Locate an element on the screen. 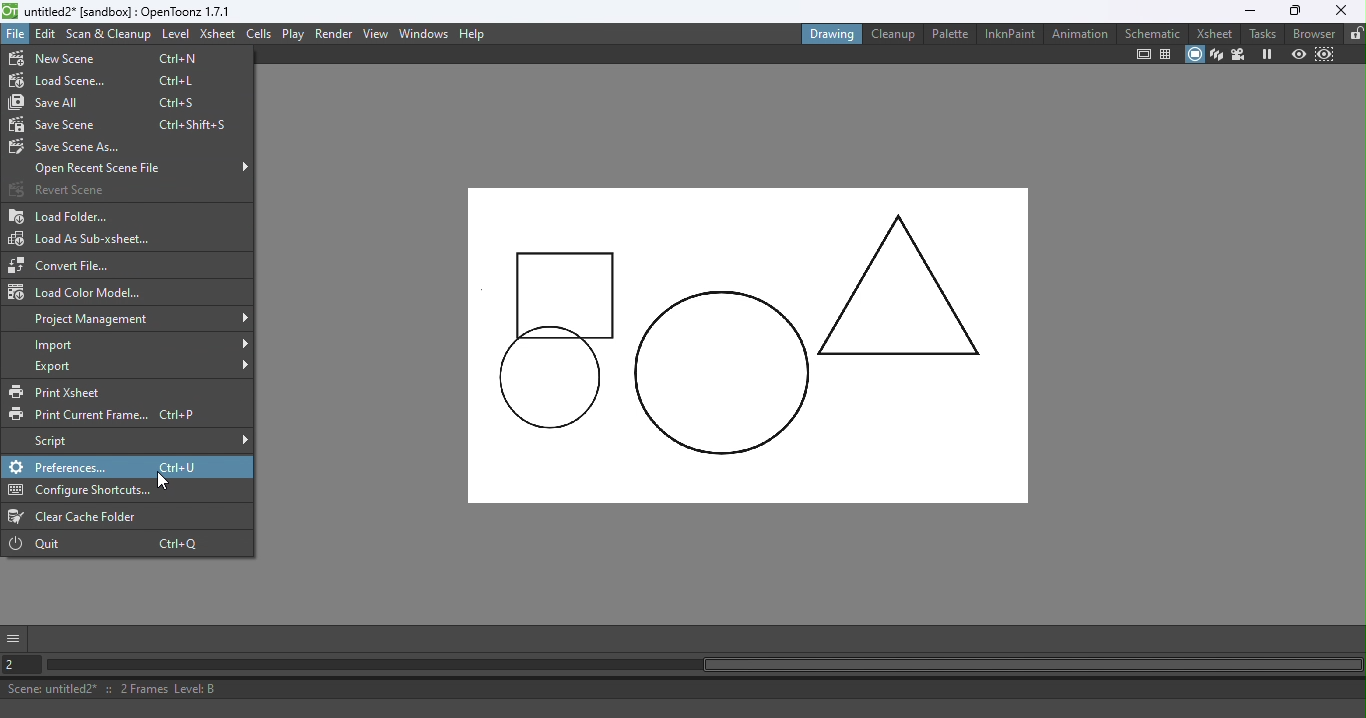  Print Current Frame is located at coordinates (108, 416).